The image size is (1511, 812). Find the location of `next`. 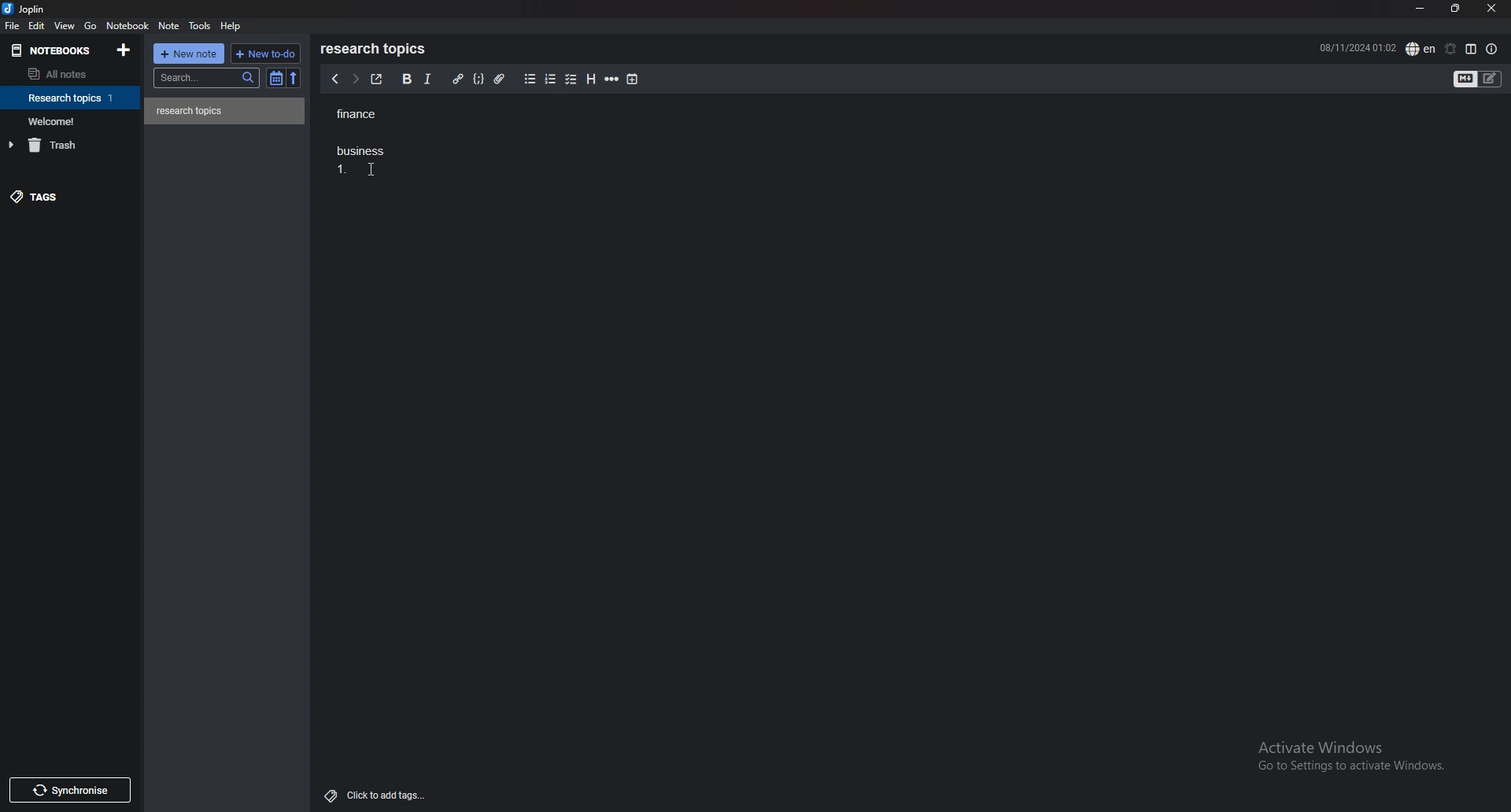

next is located at coordinates (353, 80).